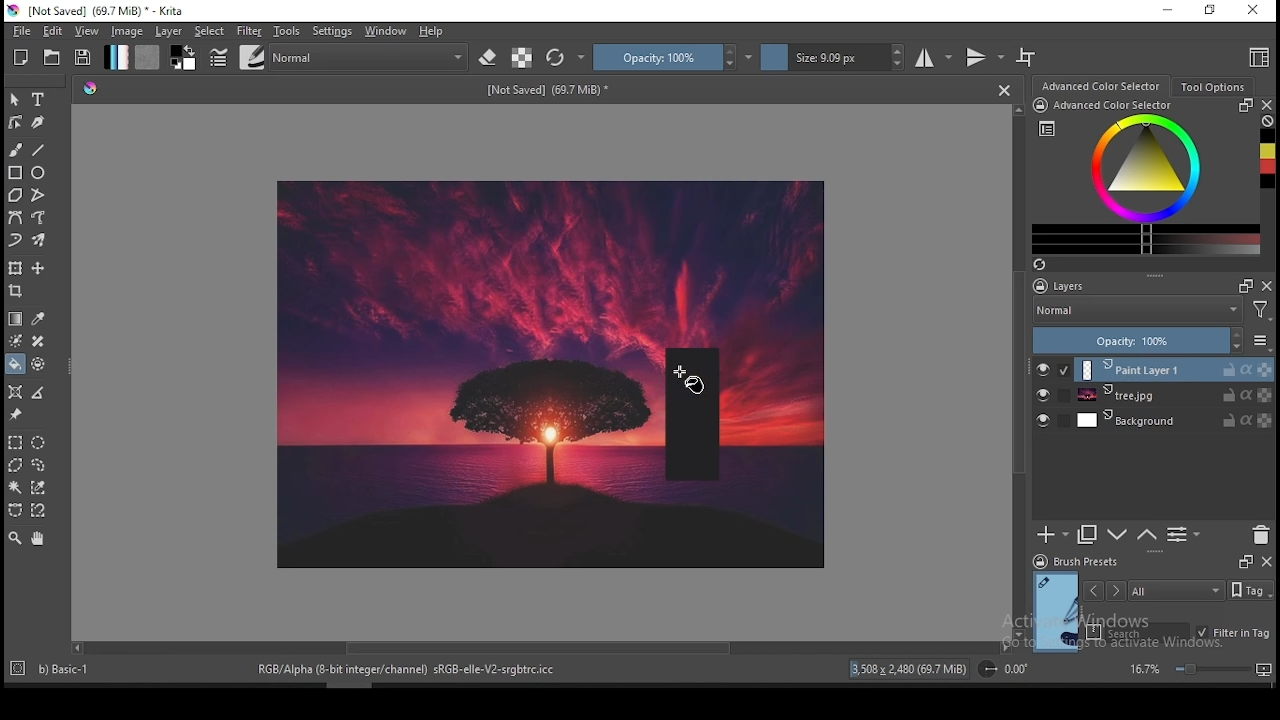 The width and height of the screenshot is (1280, 720). I want to click on preview, so click(1054, 610).